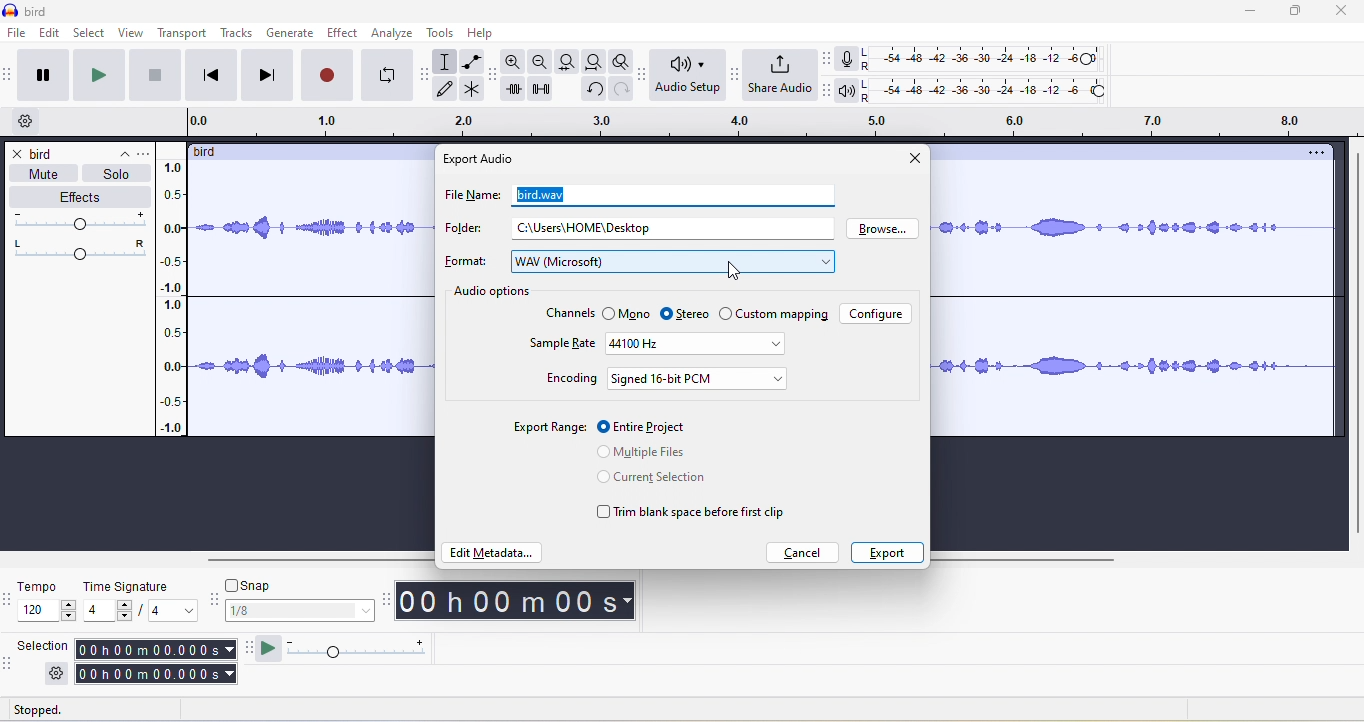 This screenshot has width=1364, height=722. What do you see at coordinates (79, 198) in the screenshot?
I see `effects` at bounding box center [79, 198].